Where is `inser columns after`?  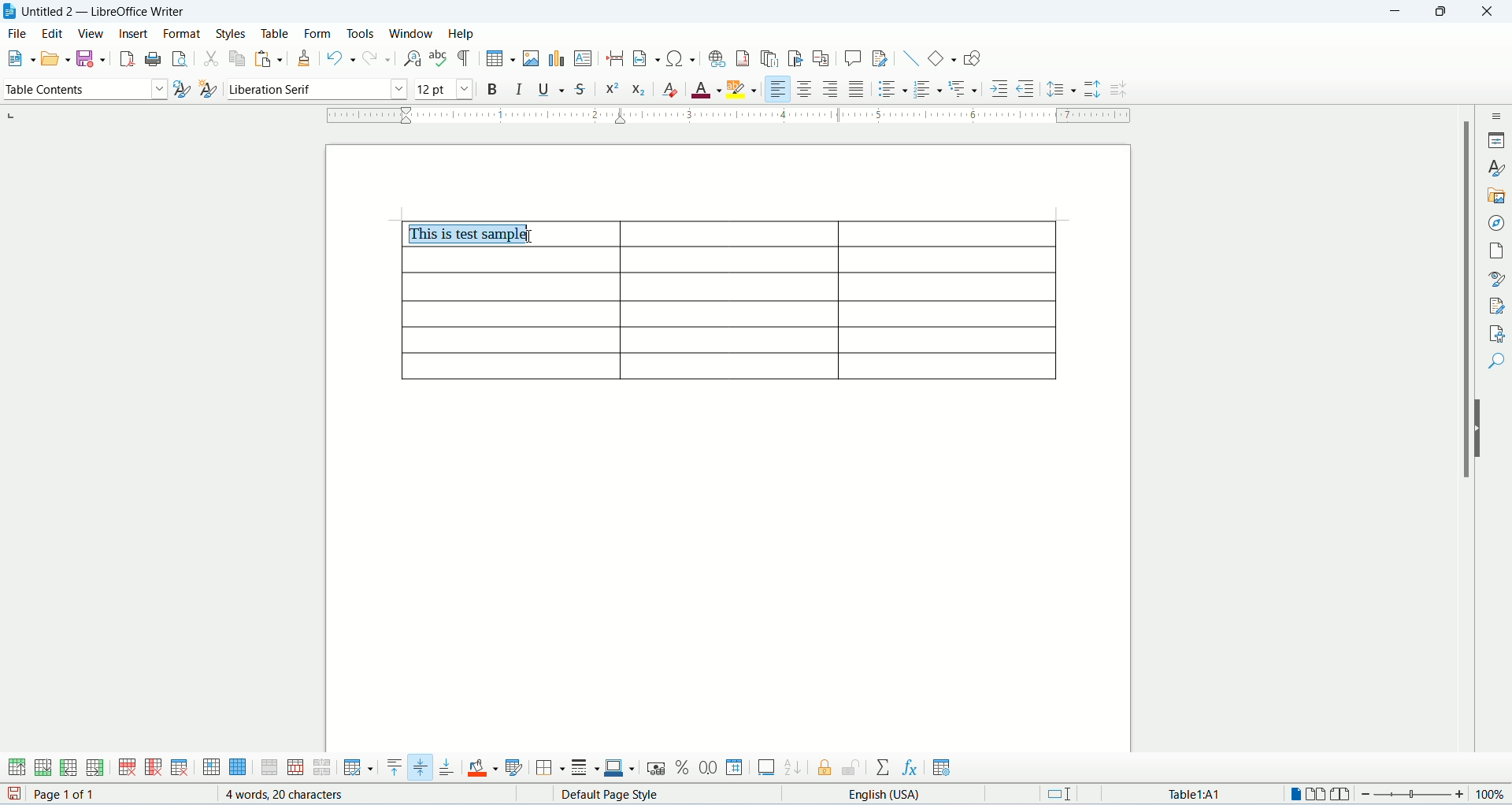 inser columns after is located at coordinates (94, 768).